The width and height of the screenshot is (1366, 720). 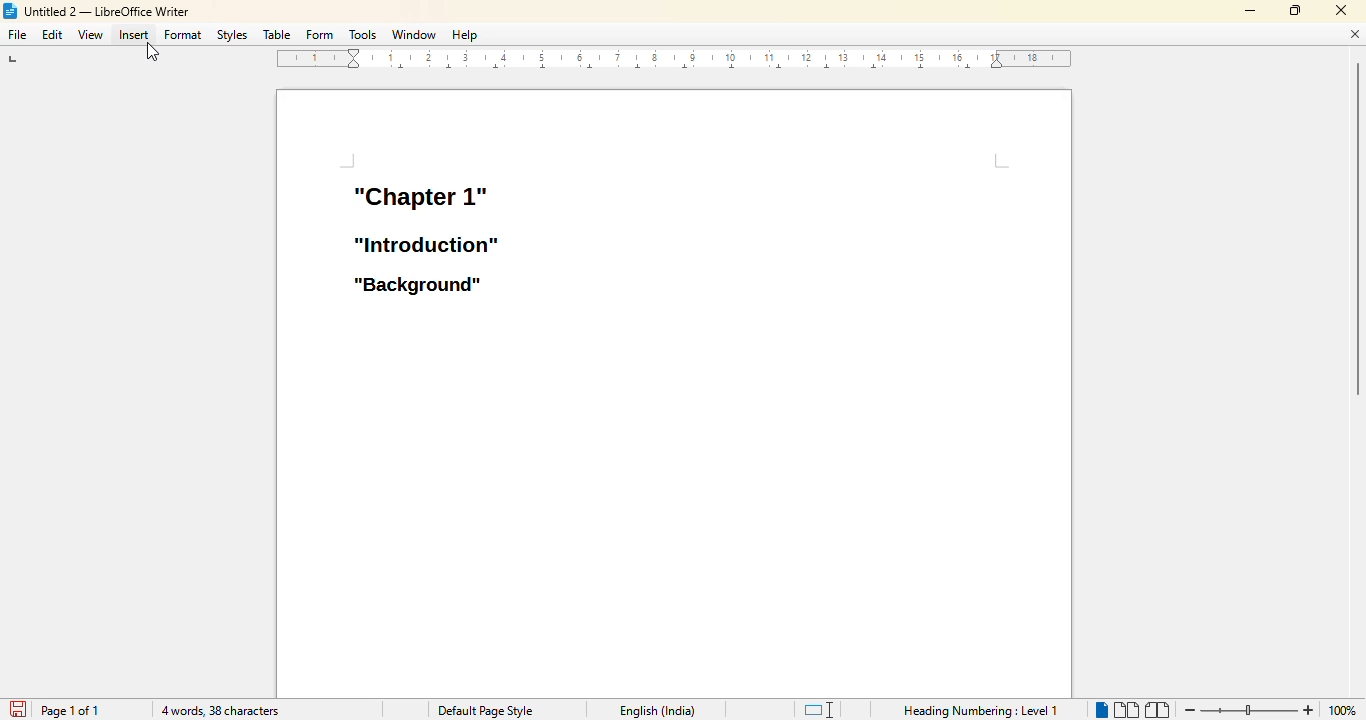 What do you see at coordinates (1294, 10) in the screenshot?
I see `maximize` at bounding box center [1294, 10].